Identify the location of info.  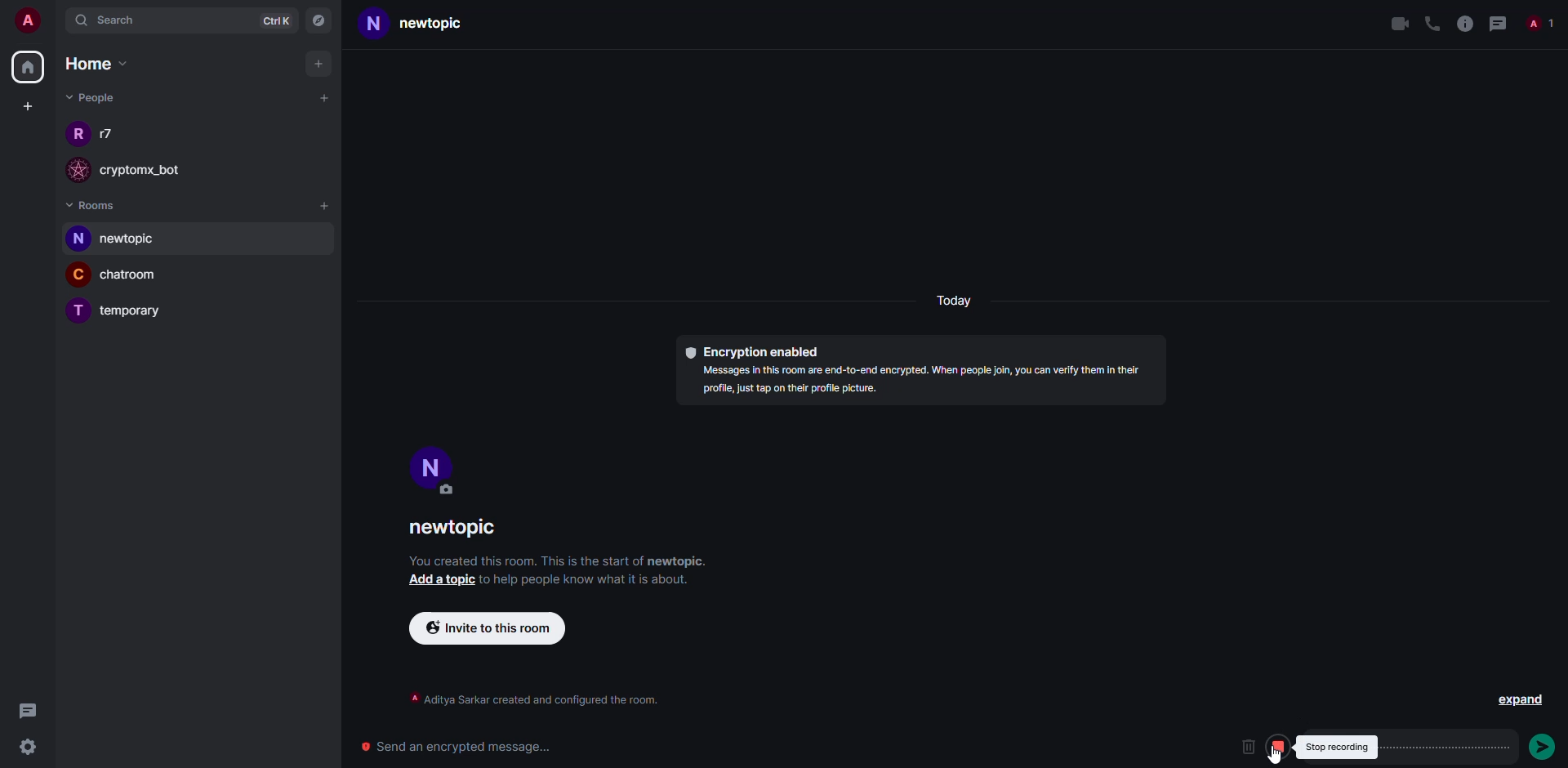
(527, 699).